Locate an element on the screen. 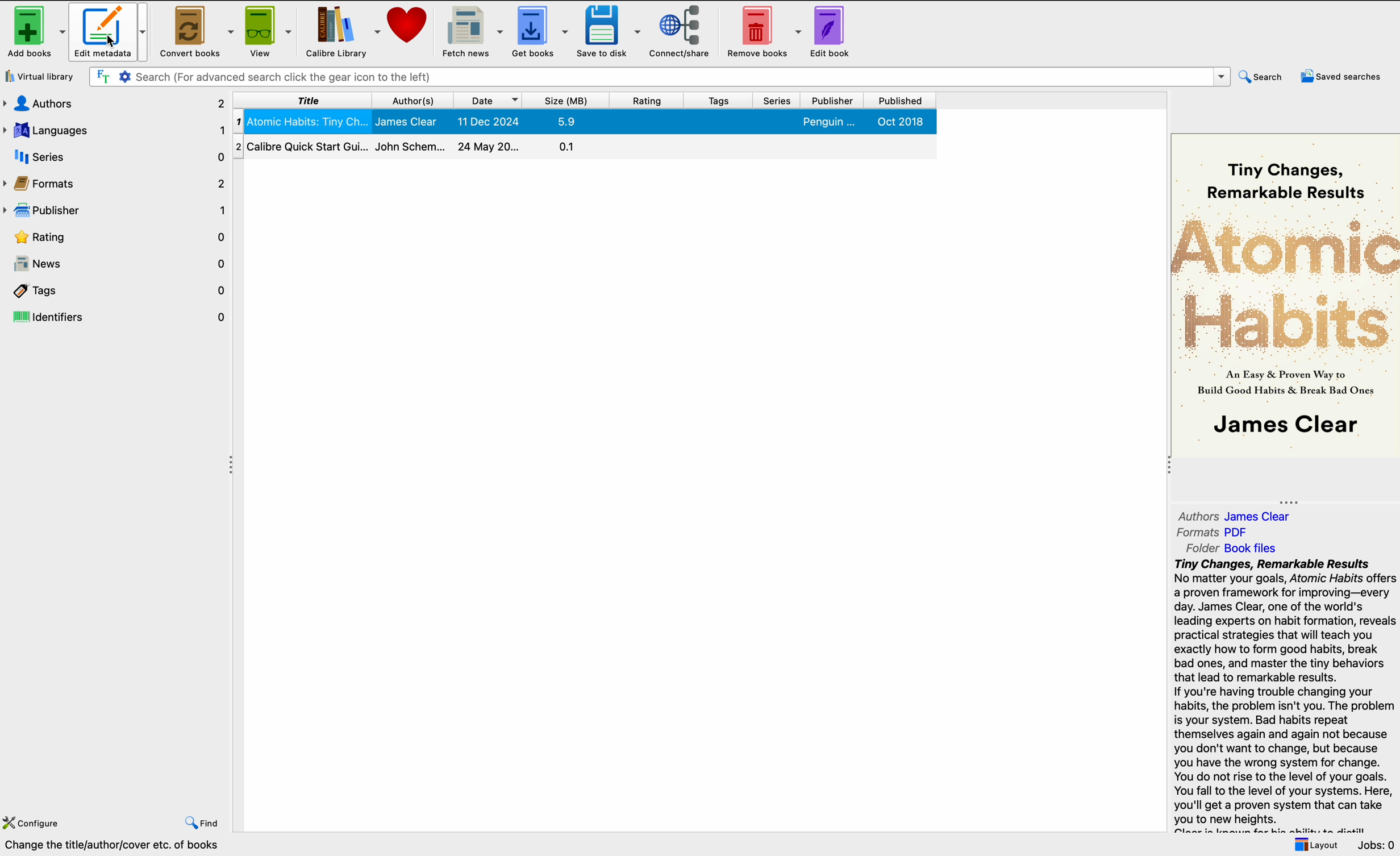 This screenshot has height=856, width=1400. published is located at coordinates (898, 101).